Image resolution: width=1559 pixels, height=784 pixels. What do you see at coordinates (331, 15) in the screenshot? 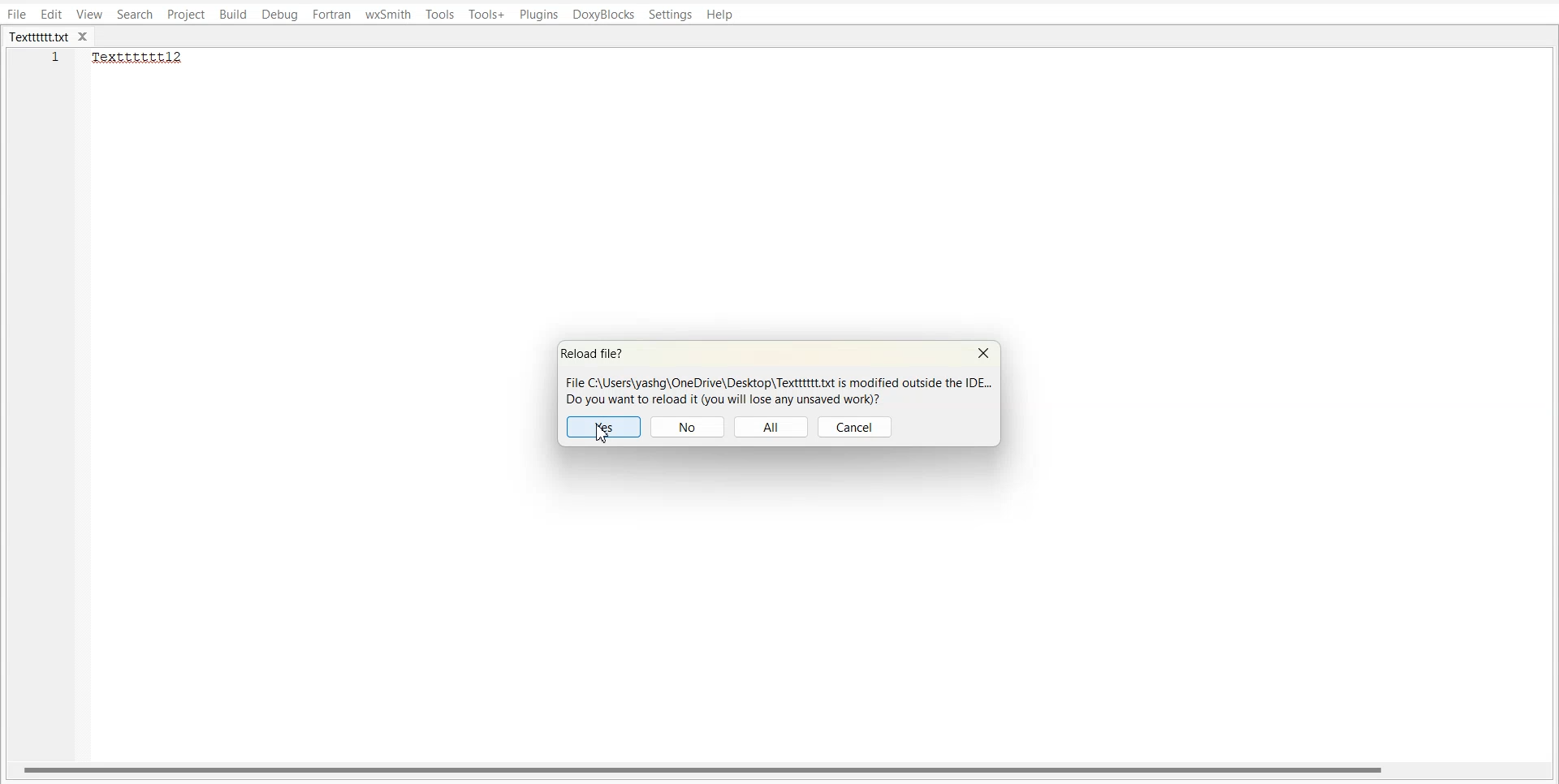
I see `Fortran` at bounding box center [331, 15].